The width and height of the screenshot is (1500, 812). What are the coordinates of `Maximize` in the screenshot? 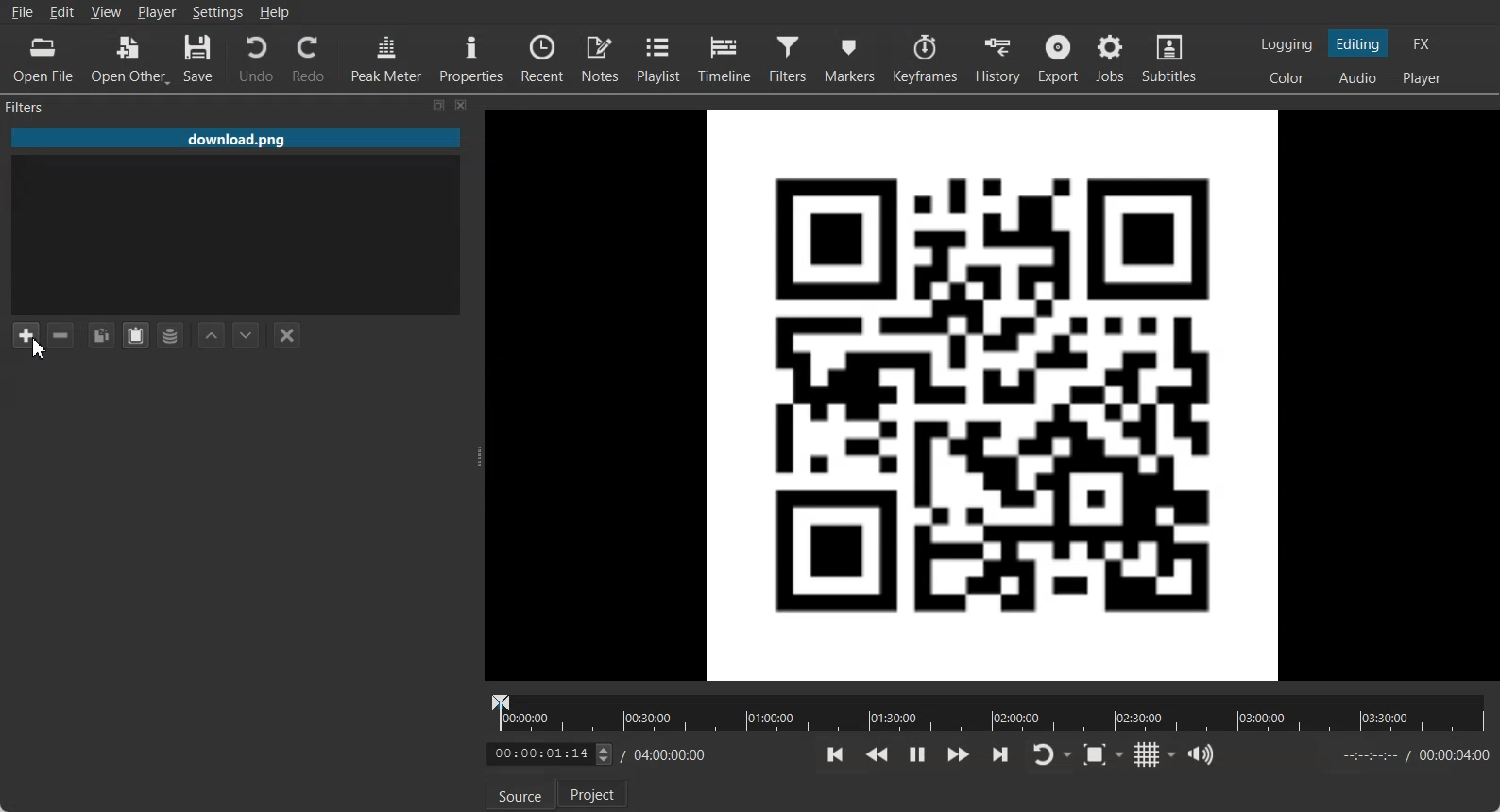 It's located at (439, 105).